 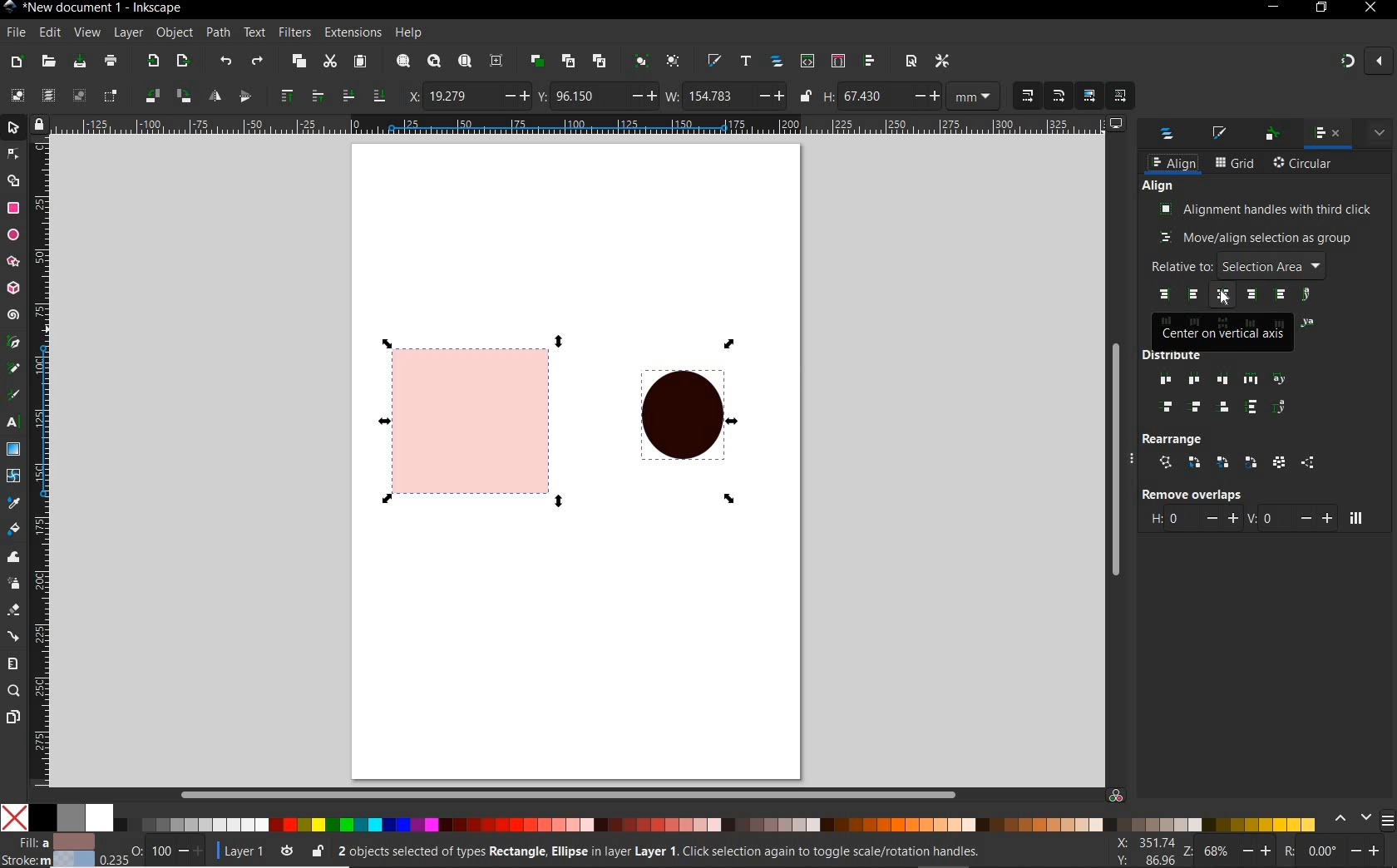 I want to click on RANDOM EXCHANGE, so click(x=1279, y=464).